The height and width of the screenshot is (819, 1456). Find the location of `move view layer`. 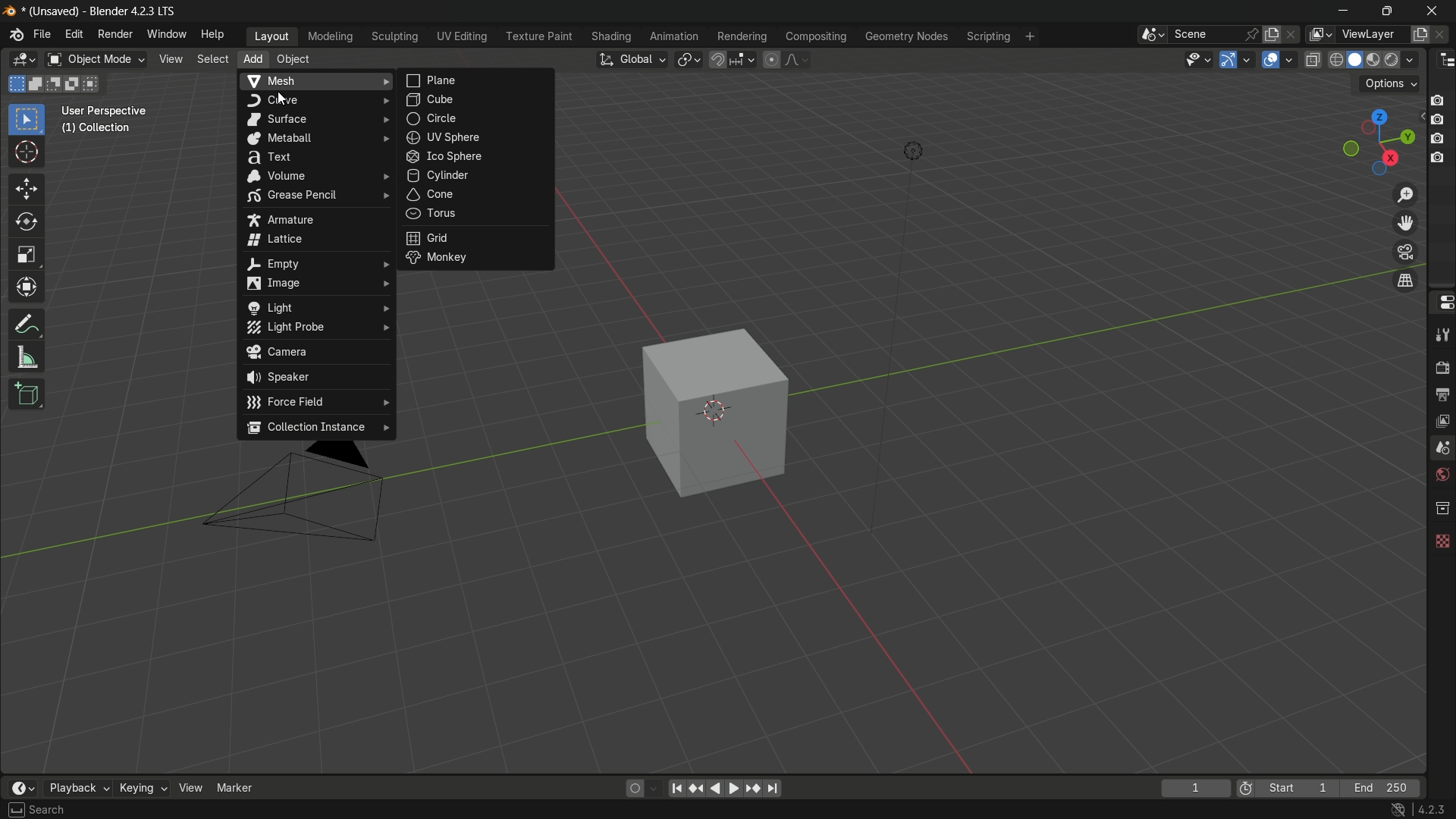

move view layer is located at coordinates (1406, 224).